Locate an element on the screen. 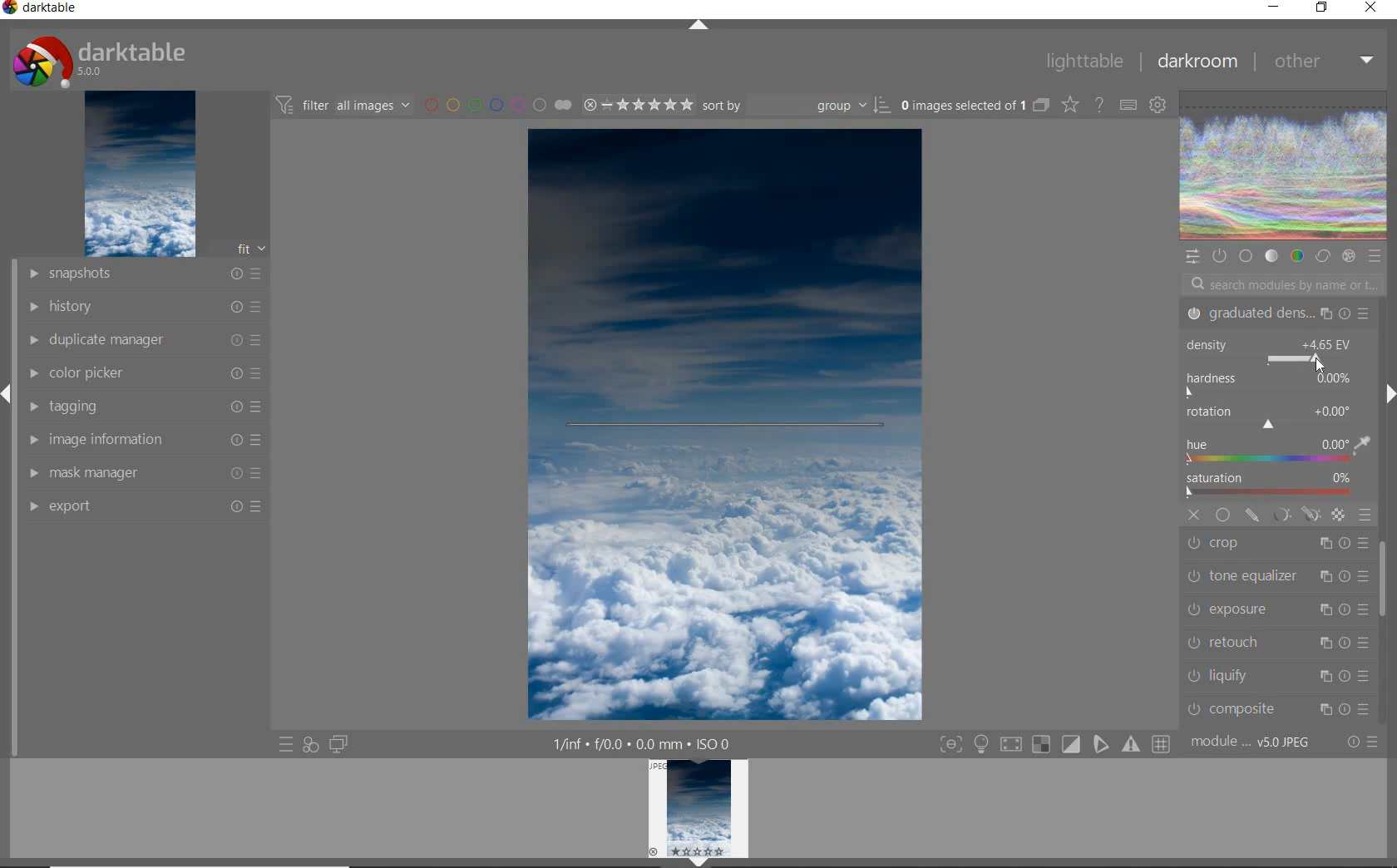  Up is located at coordinates (698, 27).